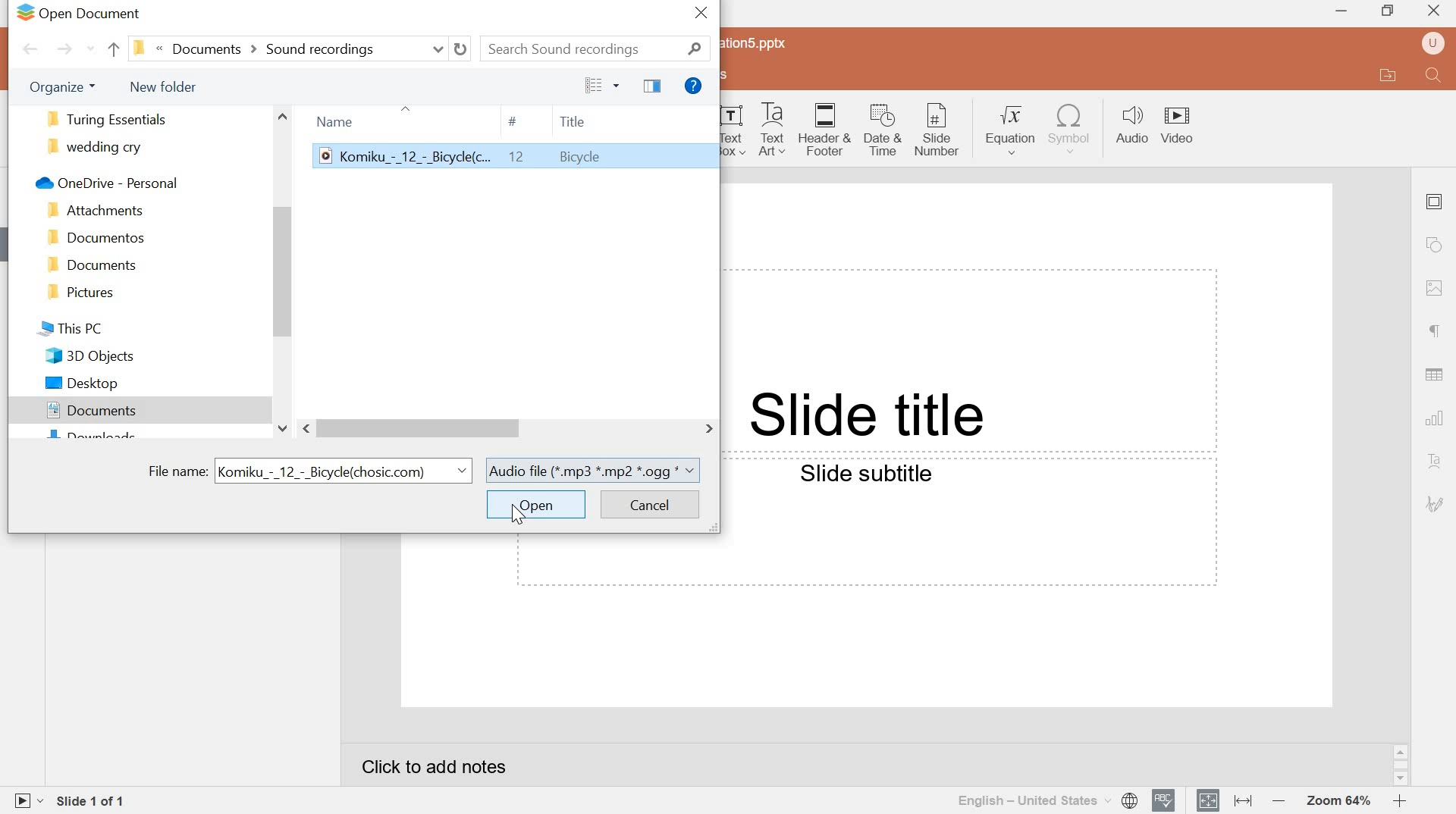 This screenshot has width=1456, height=814. Describe the element at coordinates (652, 86) in the screenshot. I see `show the preview pane` at that location.